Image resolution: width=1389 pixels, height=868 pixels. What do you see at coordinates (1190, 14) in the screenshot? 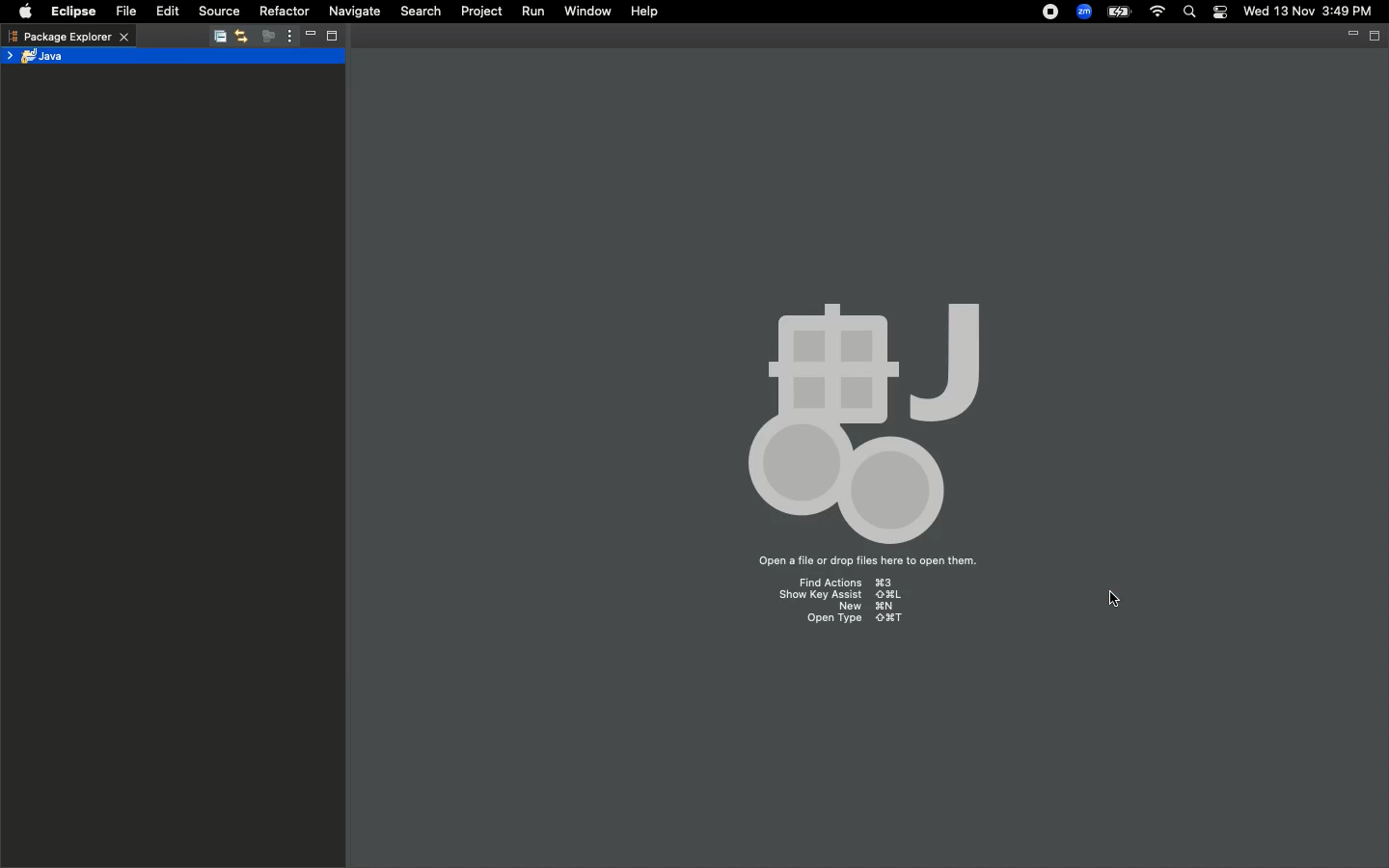
I see `Search` at bounding box center [1190, 14].